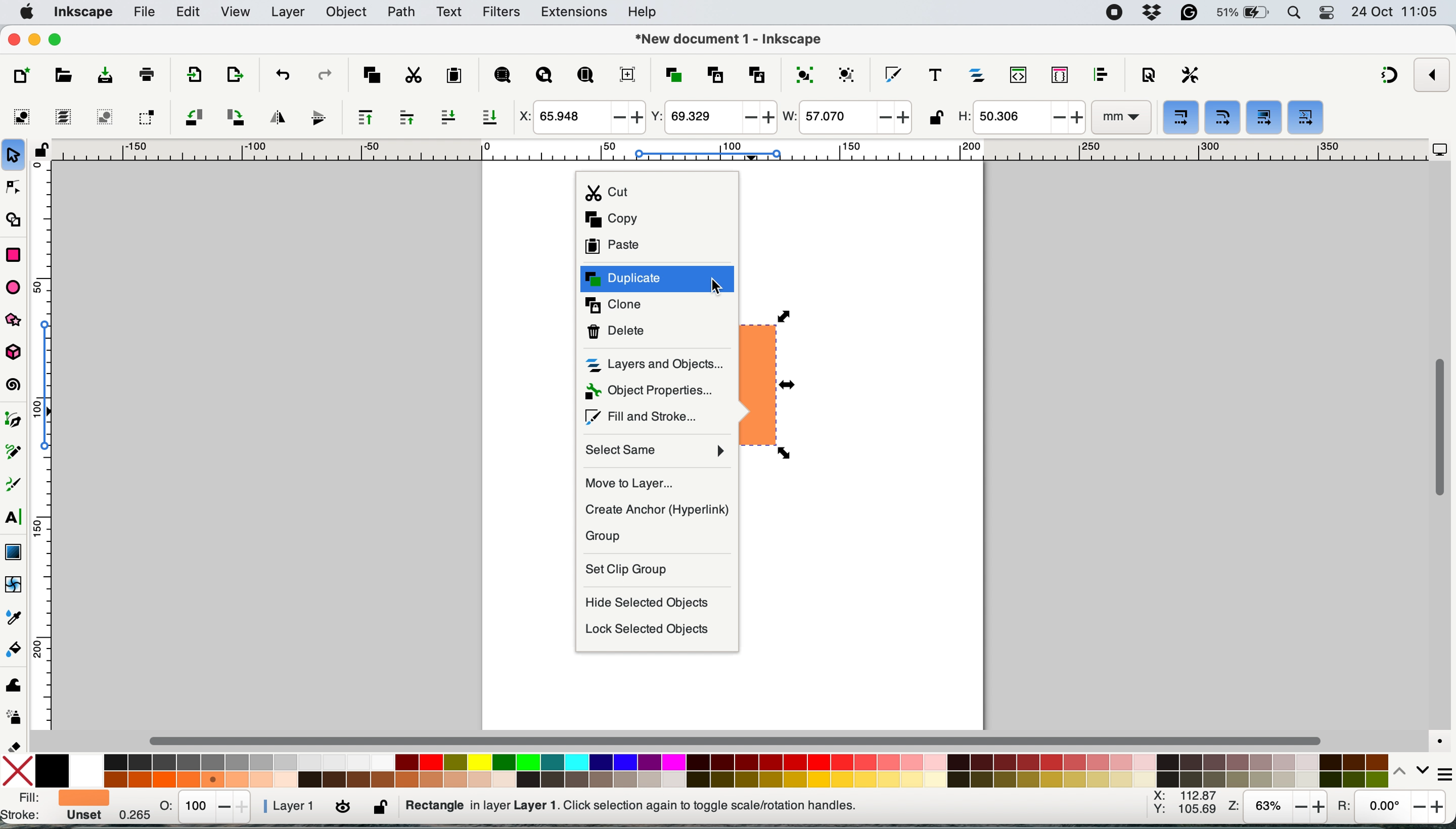  I want to click on open import, so click(234, 75).